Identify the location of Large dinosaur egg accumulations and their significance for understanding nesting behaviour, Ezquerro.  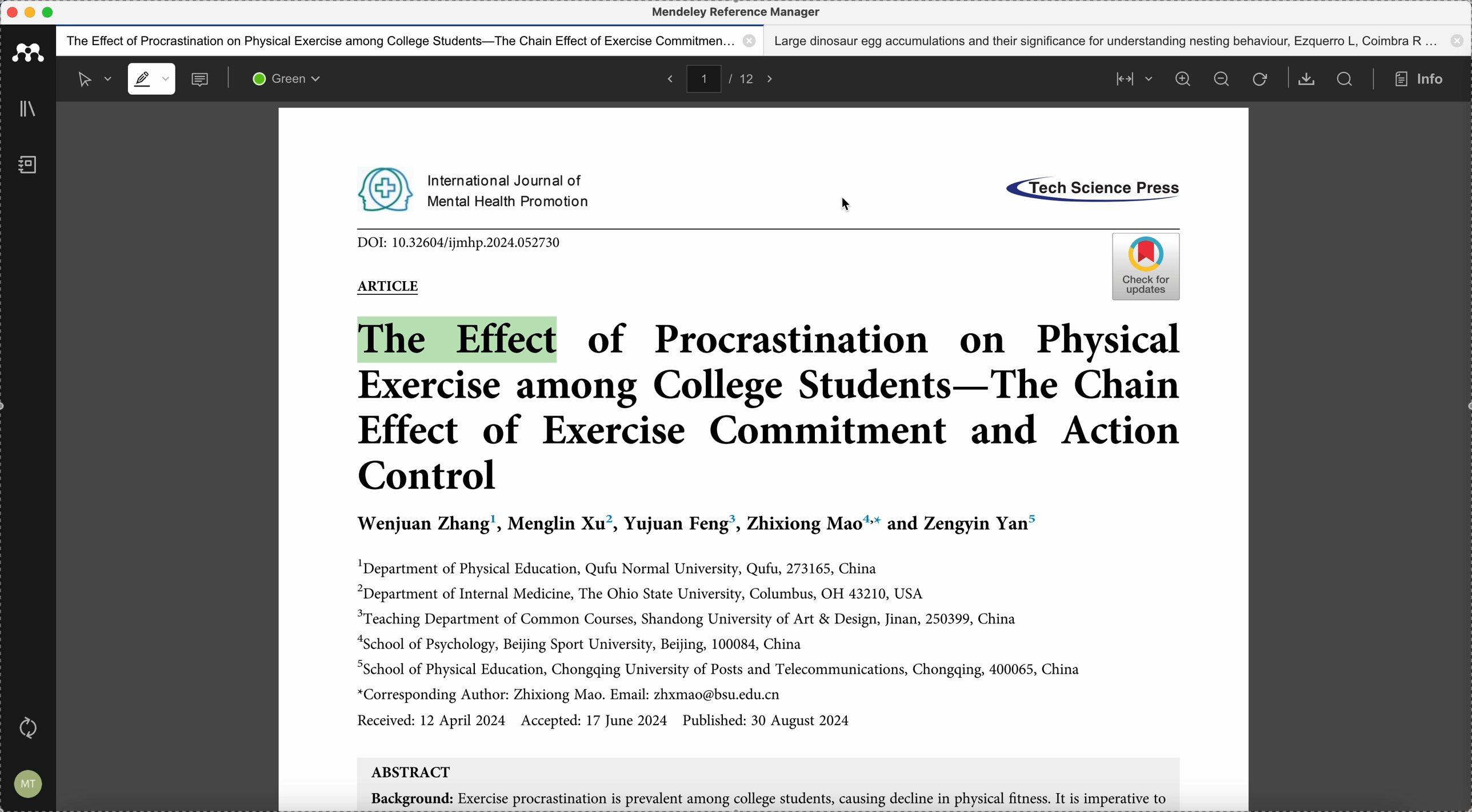
(1121, 41).